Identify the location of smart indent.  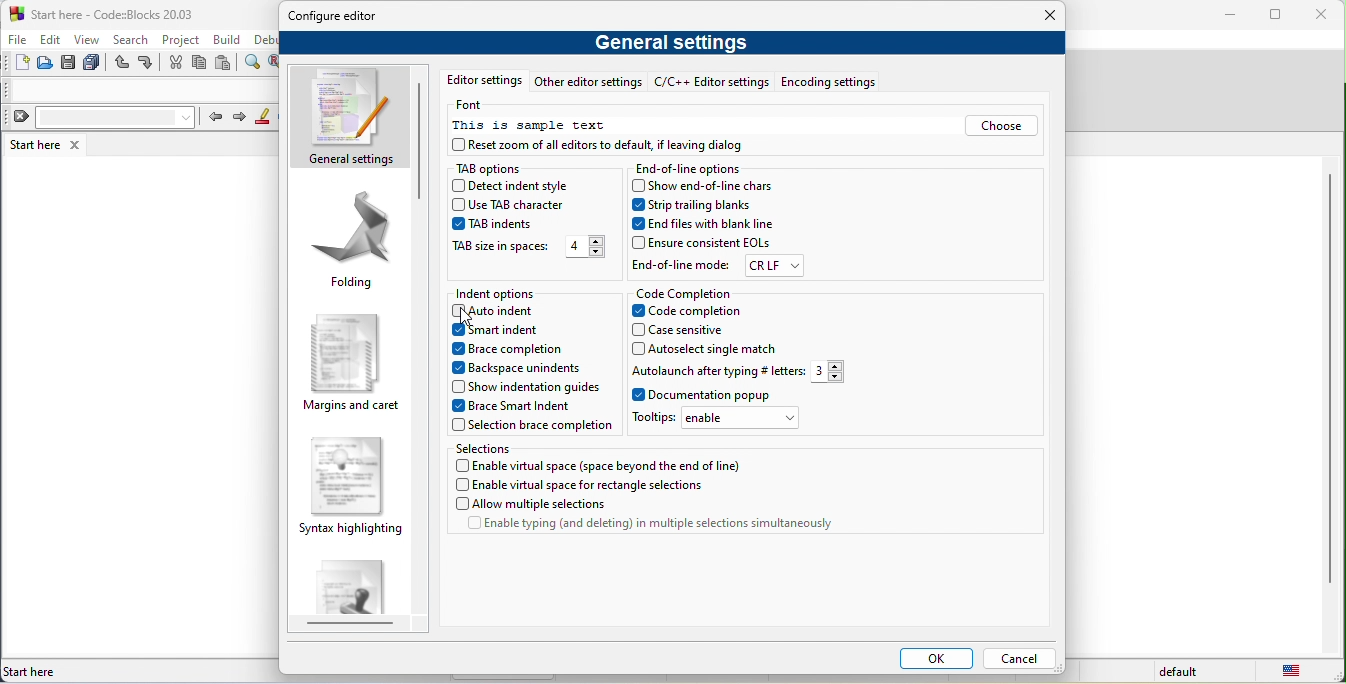
(511, 332).